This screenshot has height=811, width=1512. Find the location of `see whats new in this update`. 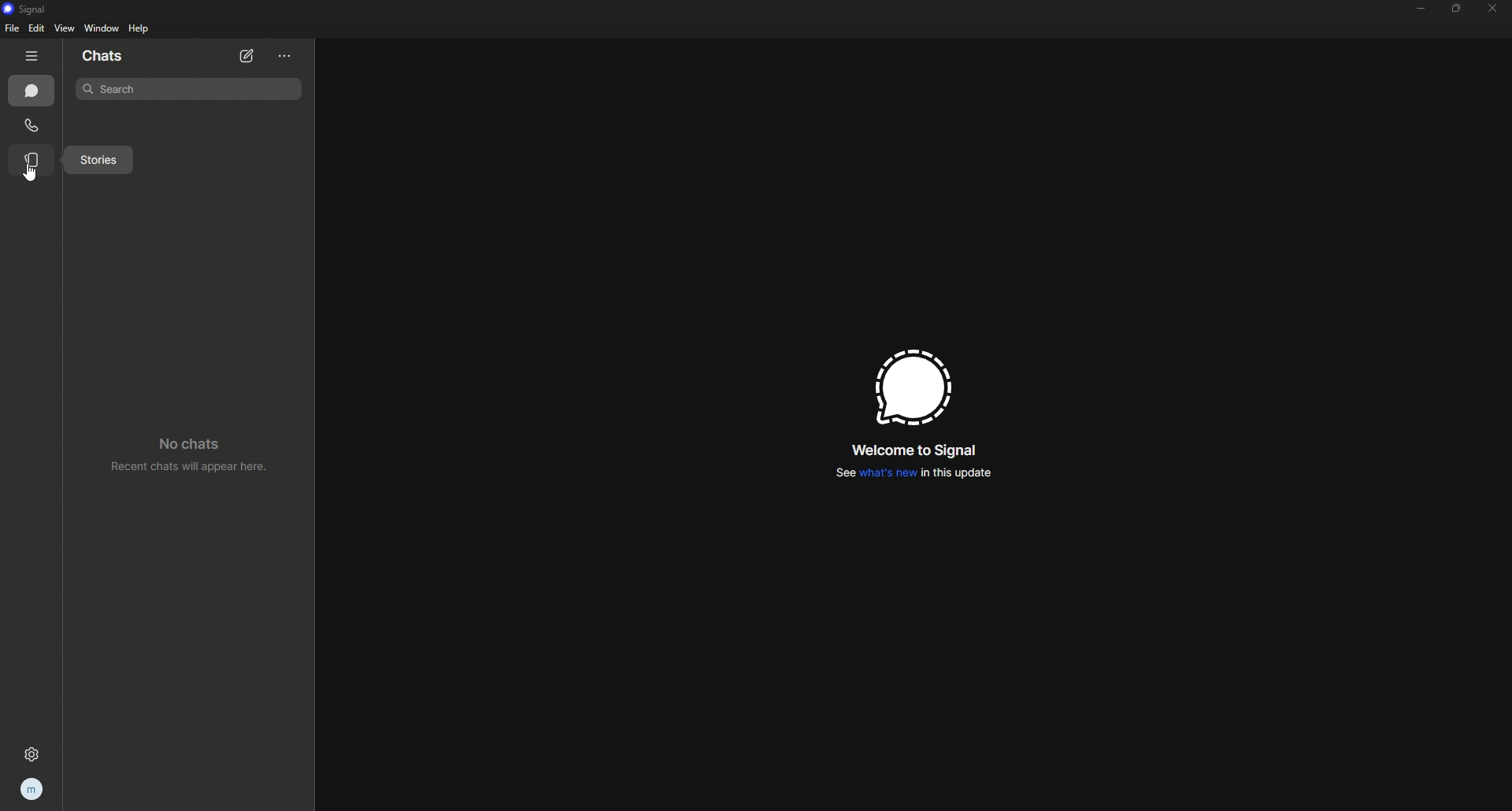

see whats new in this update is located at coordinates (912, 473).